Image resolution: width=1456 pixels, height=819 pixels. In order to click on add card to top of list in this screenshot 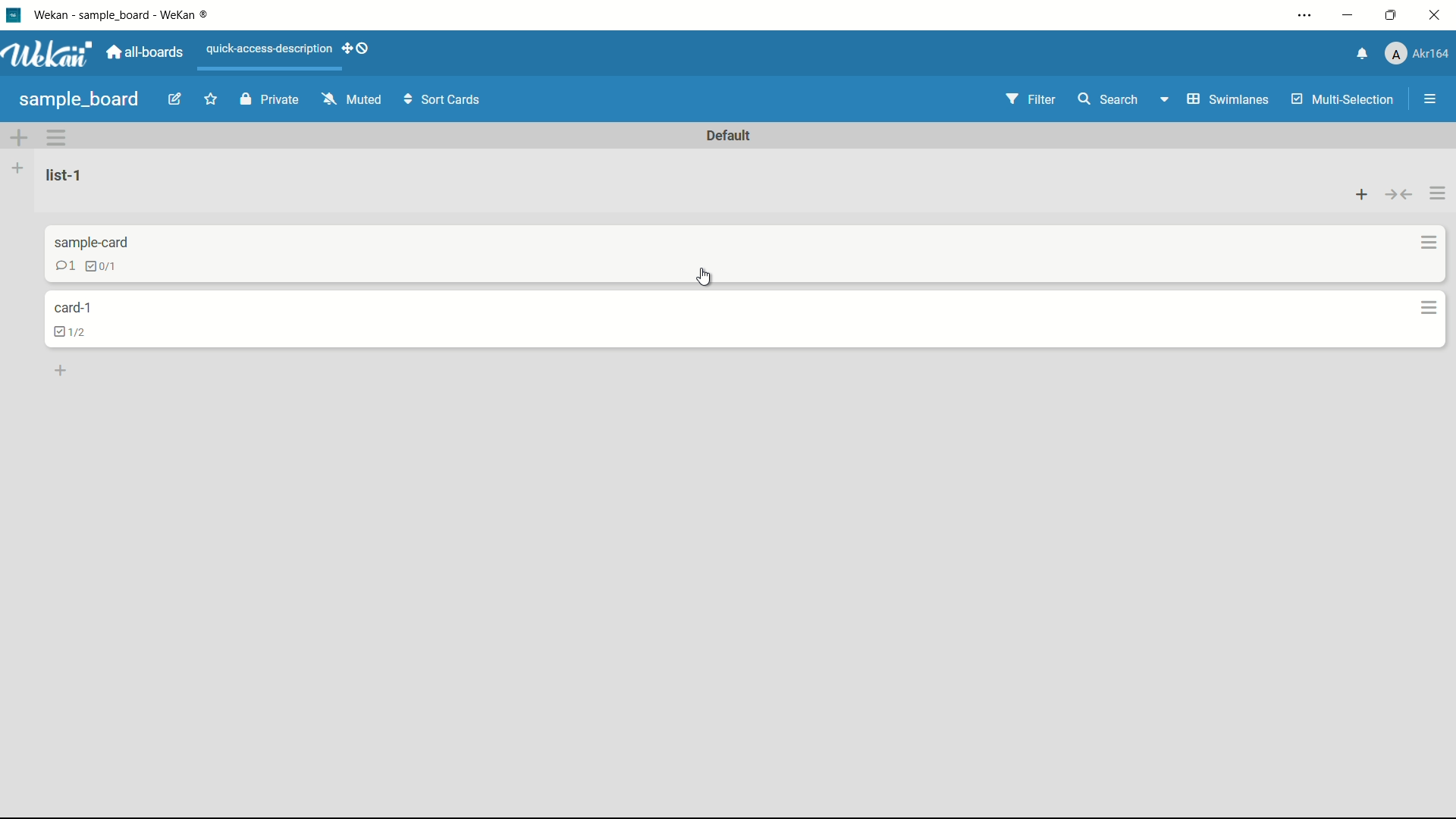, I will do `click(1362, 196)`.